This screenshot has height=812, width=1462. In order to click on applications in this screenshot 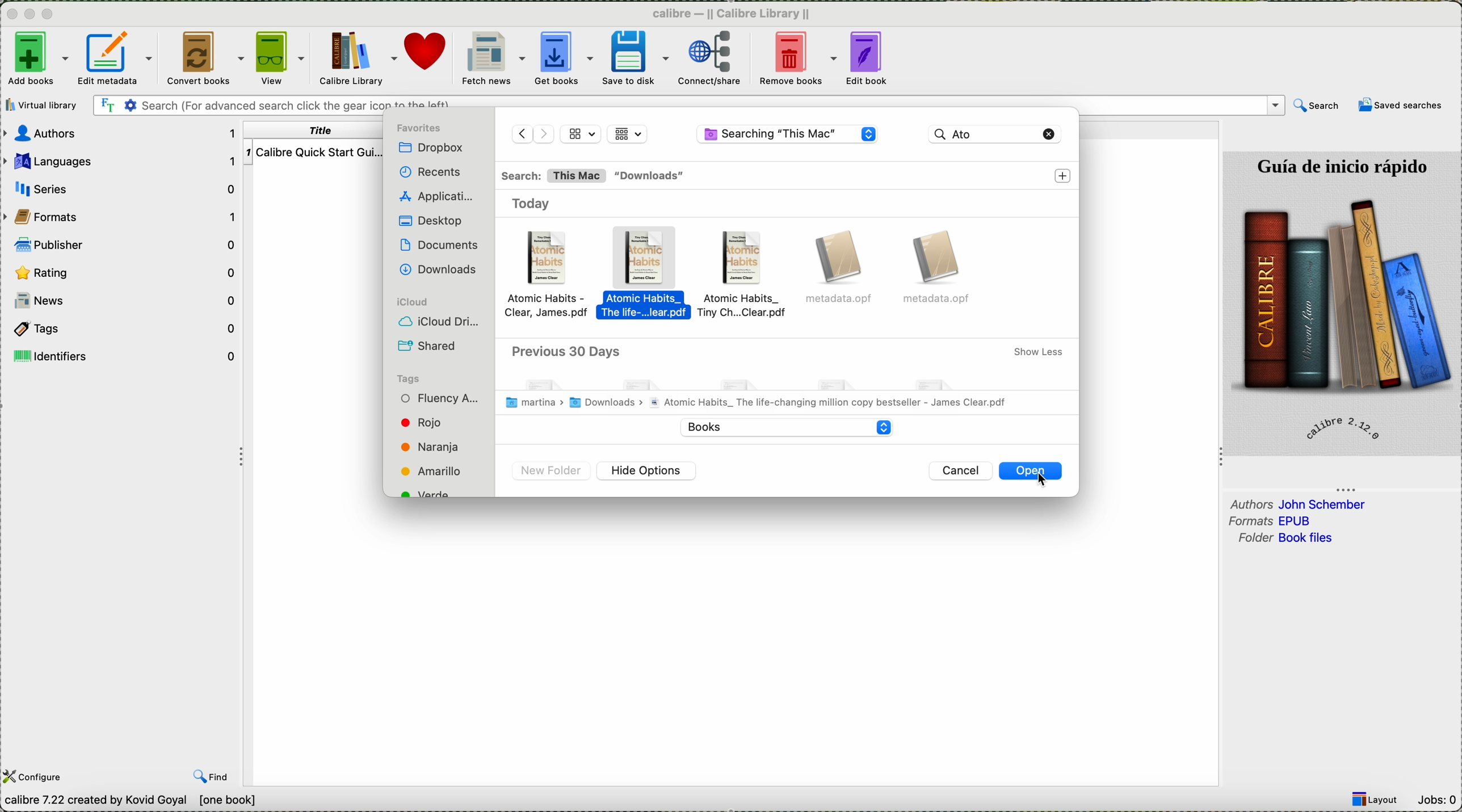, I will do `click(439, 197)`.